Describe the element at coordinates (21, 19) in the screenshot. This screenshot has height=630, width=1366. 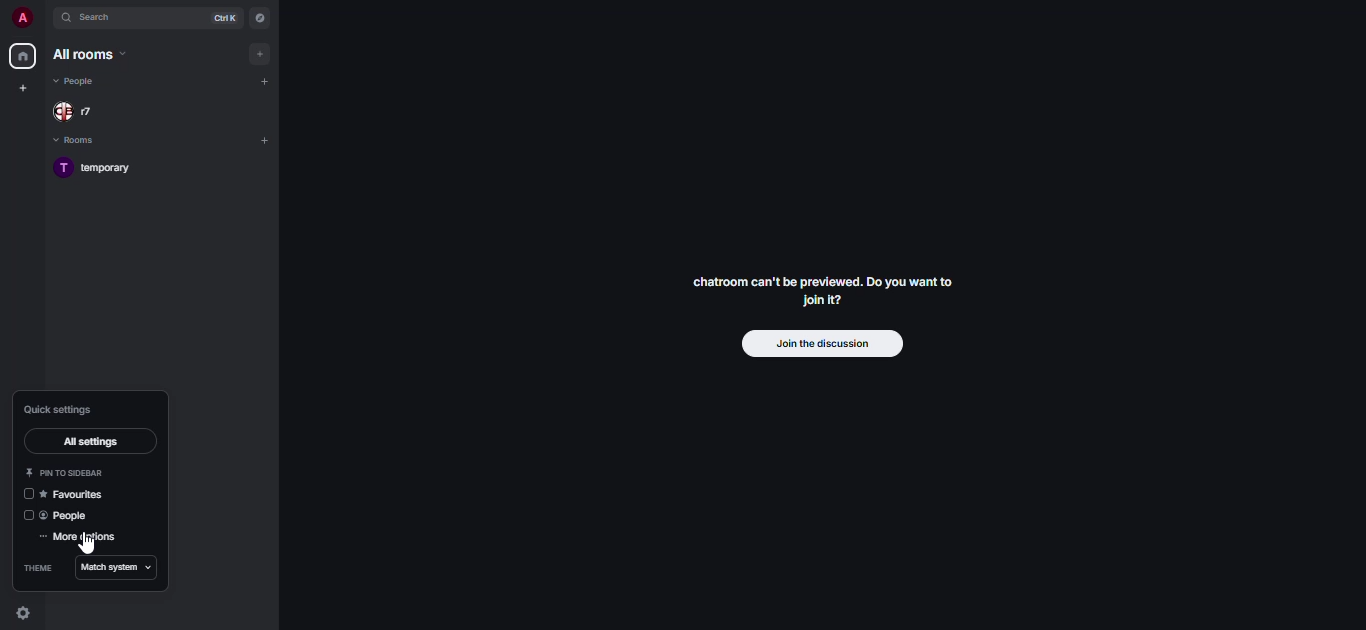
I see `profile` at that location.